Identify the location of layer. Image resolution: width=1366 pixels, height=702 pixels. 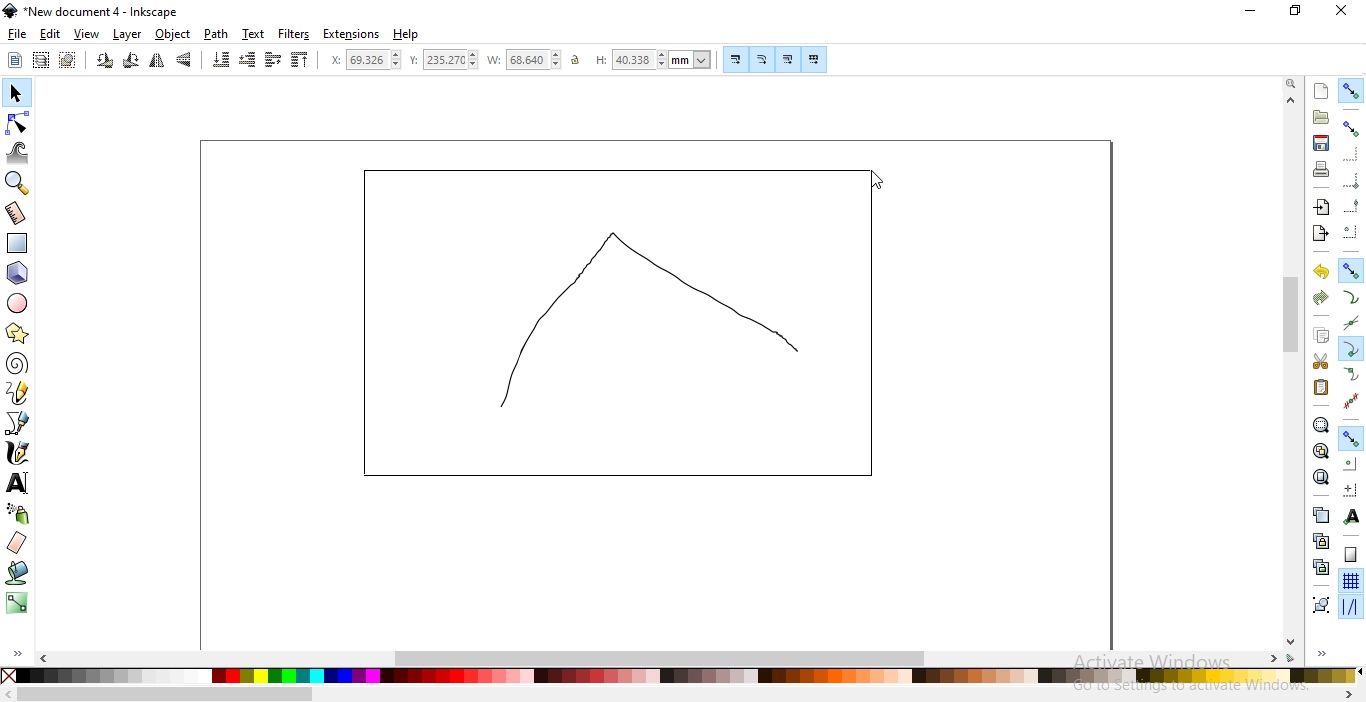
(128, 35).